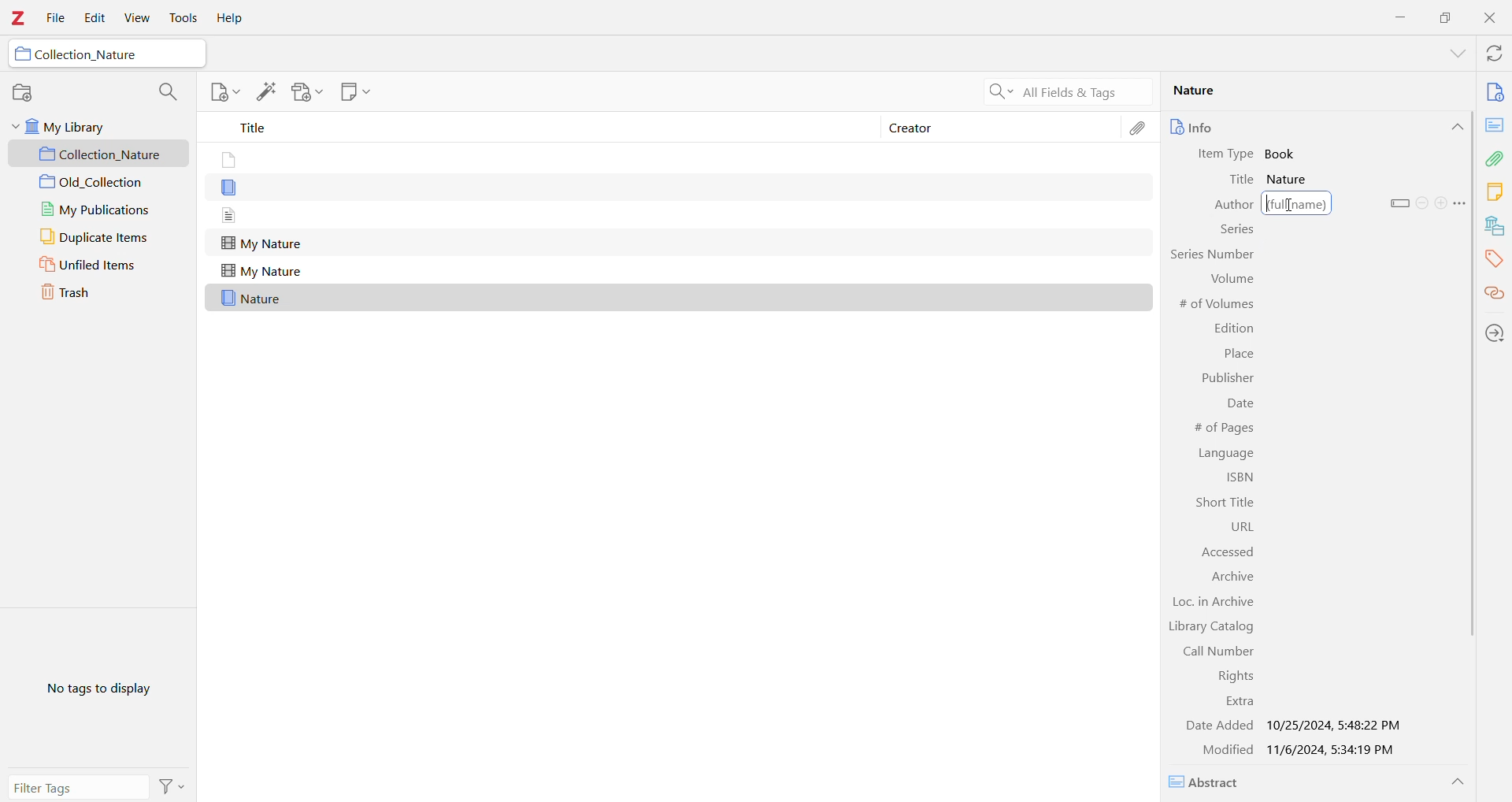  Describe the element at coordinates (1422, 202) in the screenshot. I see `Delete` at that location.